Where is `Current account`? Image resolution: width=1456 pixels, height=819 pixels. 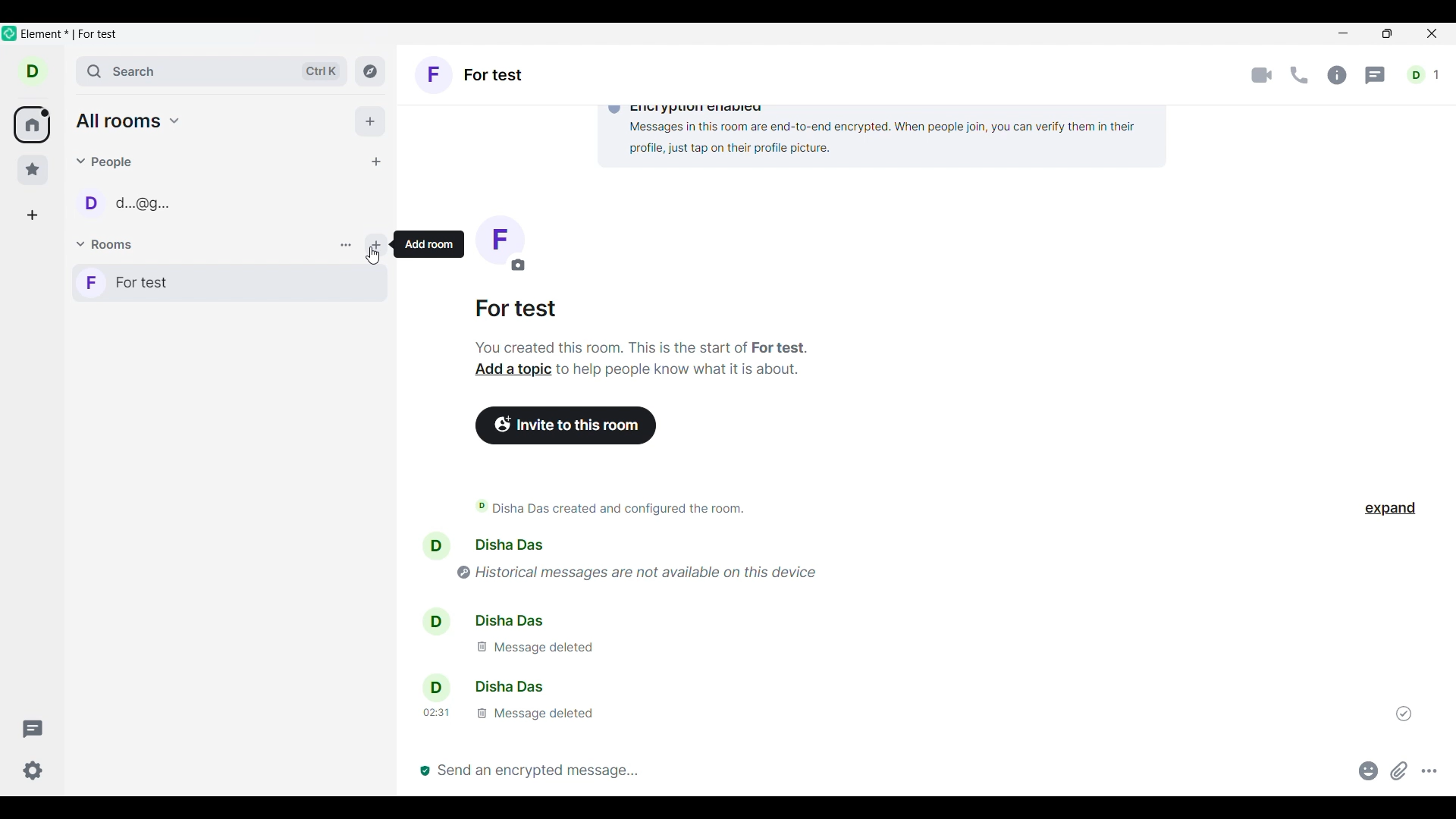
Current account is located at coordinates (33, 71).